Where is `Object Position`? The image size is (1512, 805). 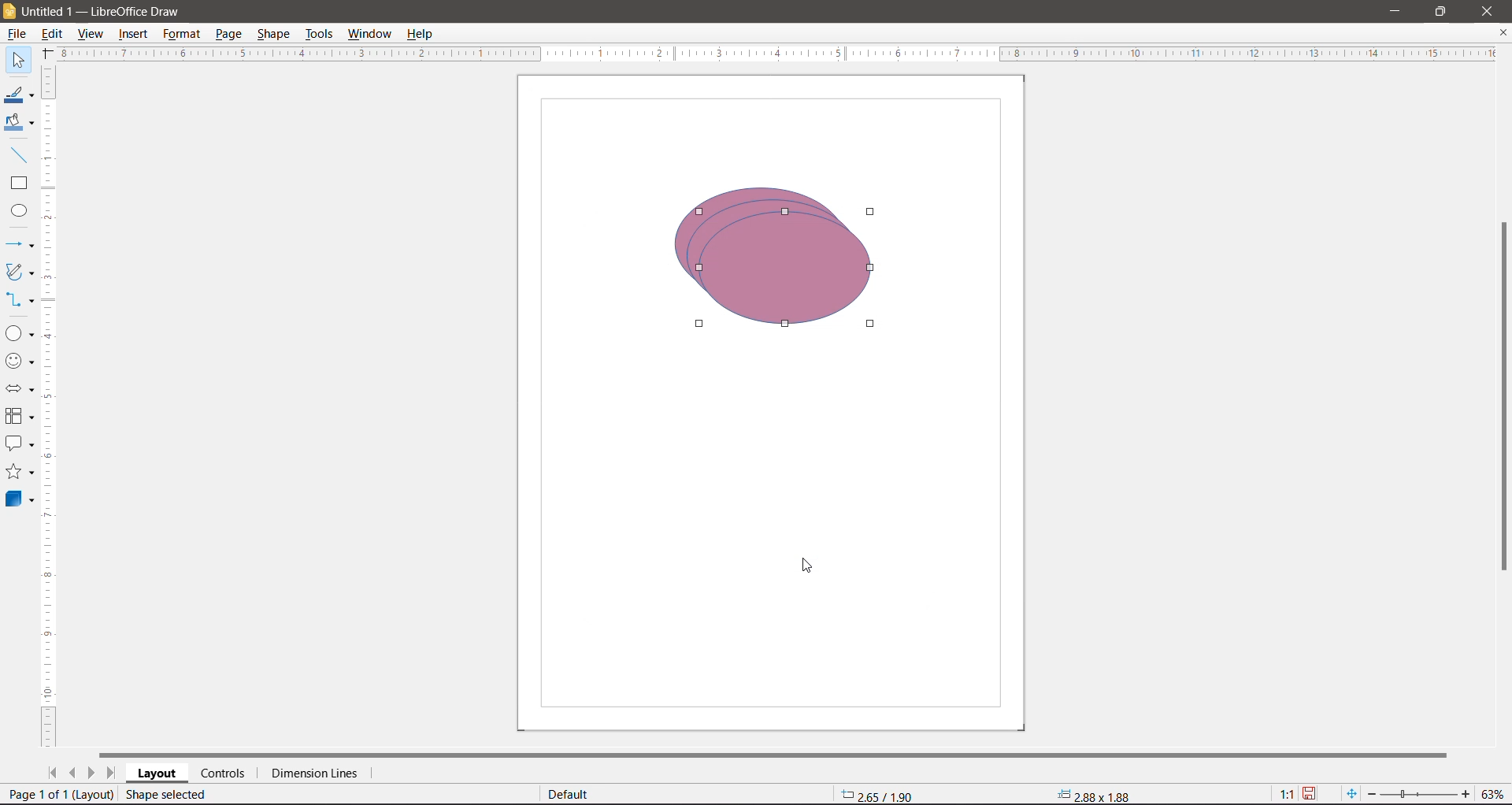
Object Position is located at coordinates (877, 794).